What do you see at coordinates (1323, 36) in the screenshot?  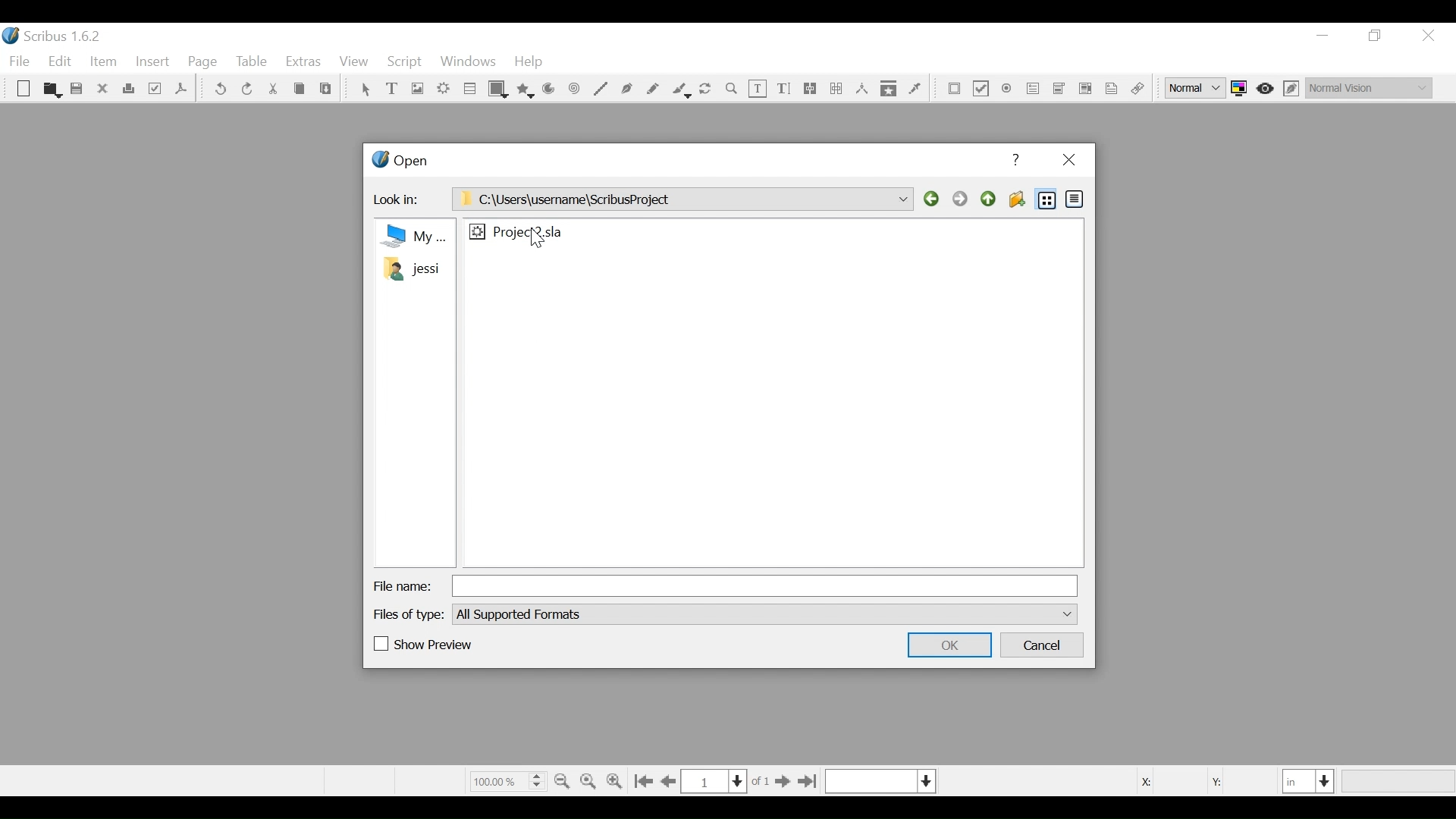 I see `minimize` at bounding box center [1323, 36].